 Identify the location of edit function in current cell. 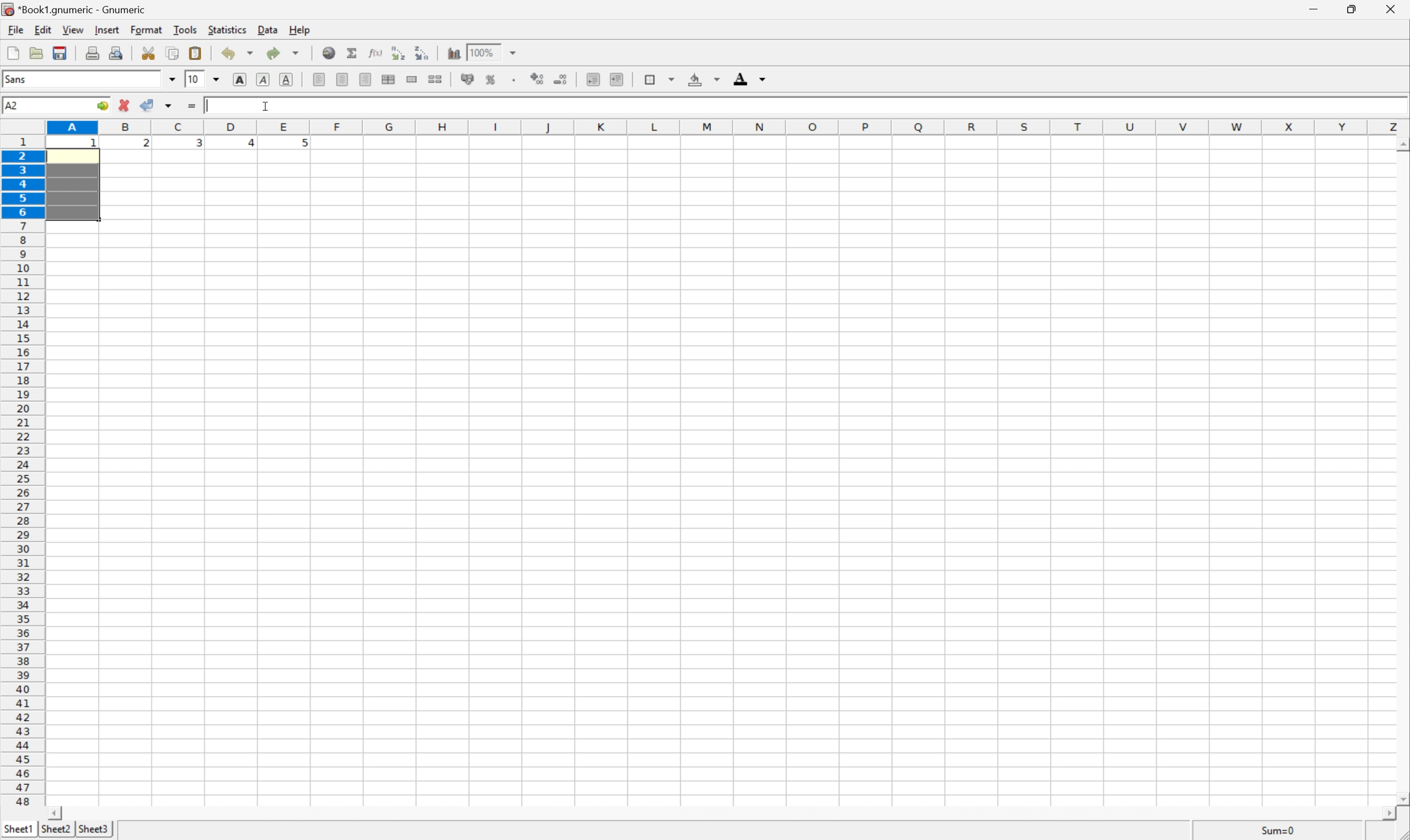
(377, 54).